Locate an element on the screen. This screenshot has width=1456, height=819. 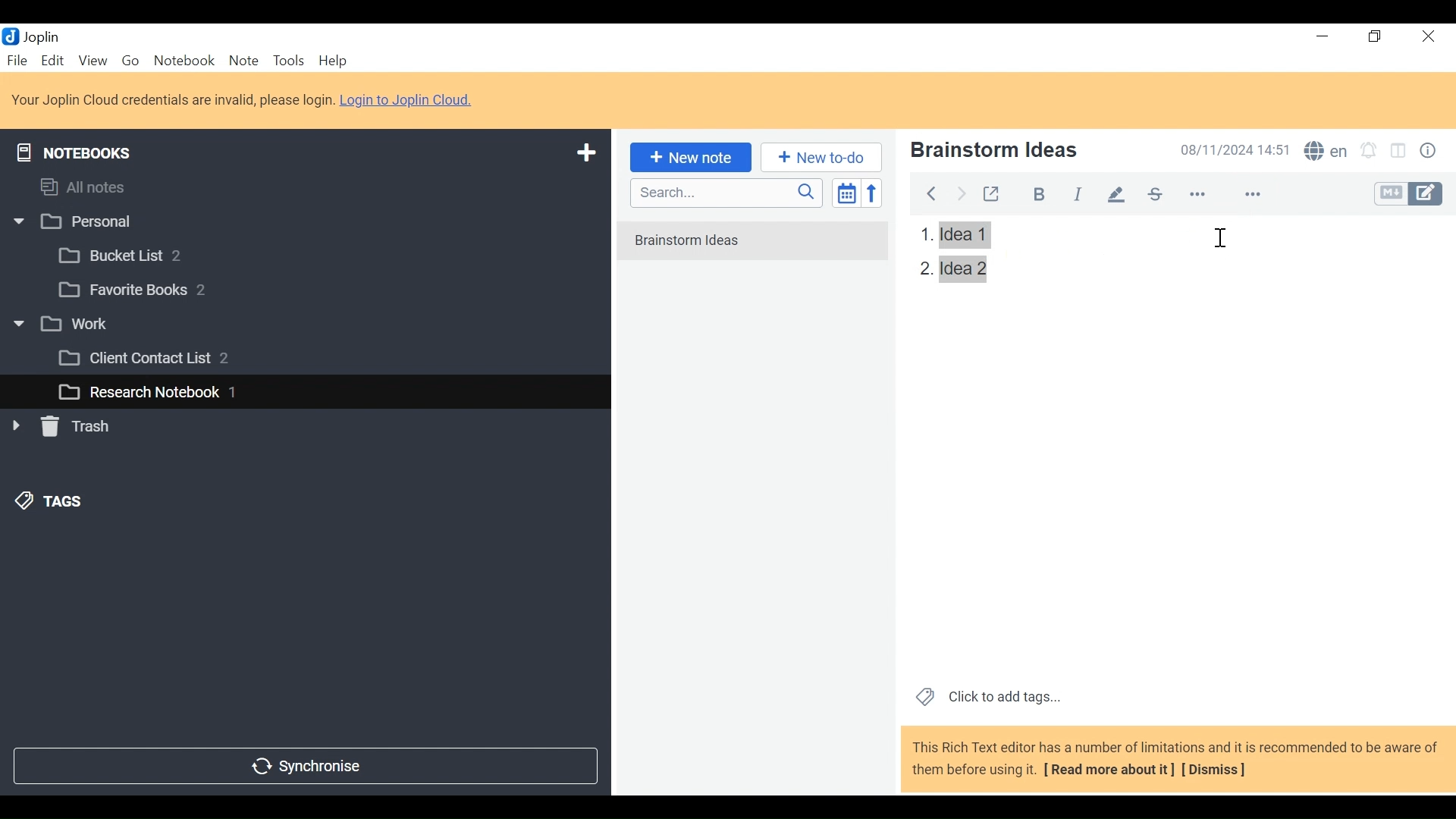
Login to Joplin Cloud is located at coordinates (411, 100).